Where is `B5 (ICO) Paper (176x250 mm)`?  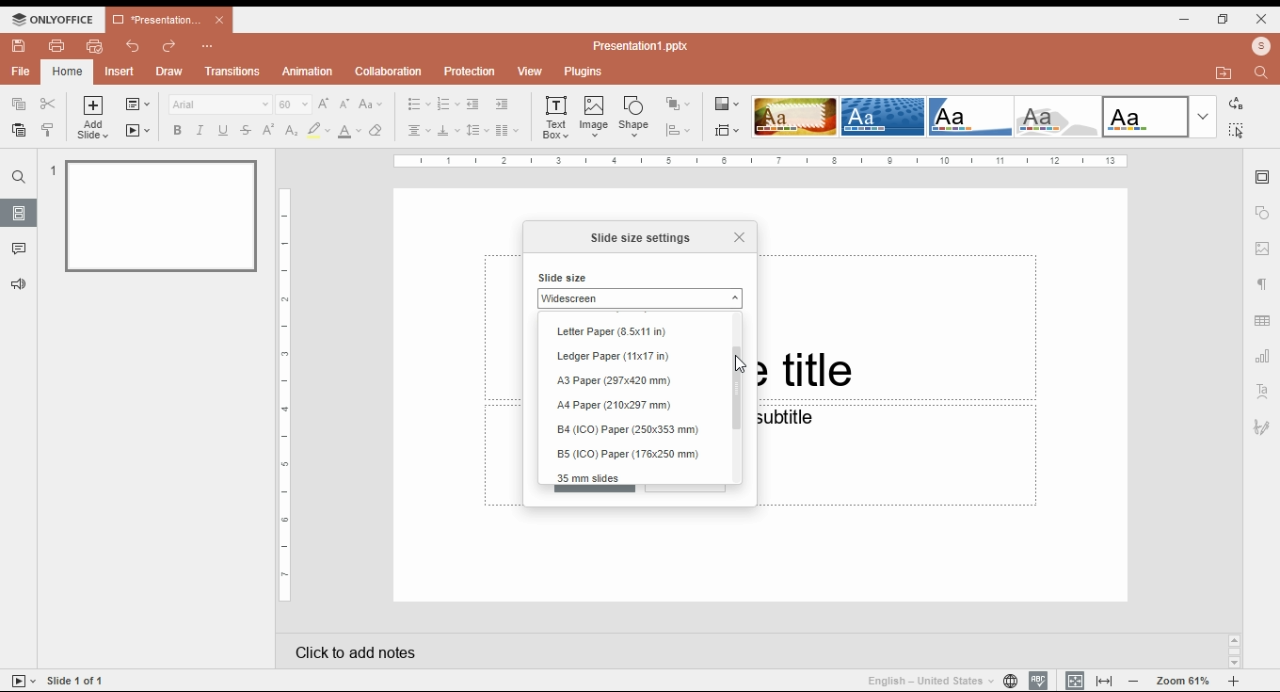
B5 (ICO) Paper (176x250 mm) is located at coordinates (628, 454).